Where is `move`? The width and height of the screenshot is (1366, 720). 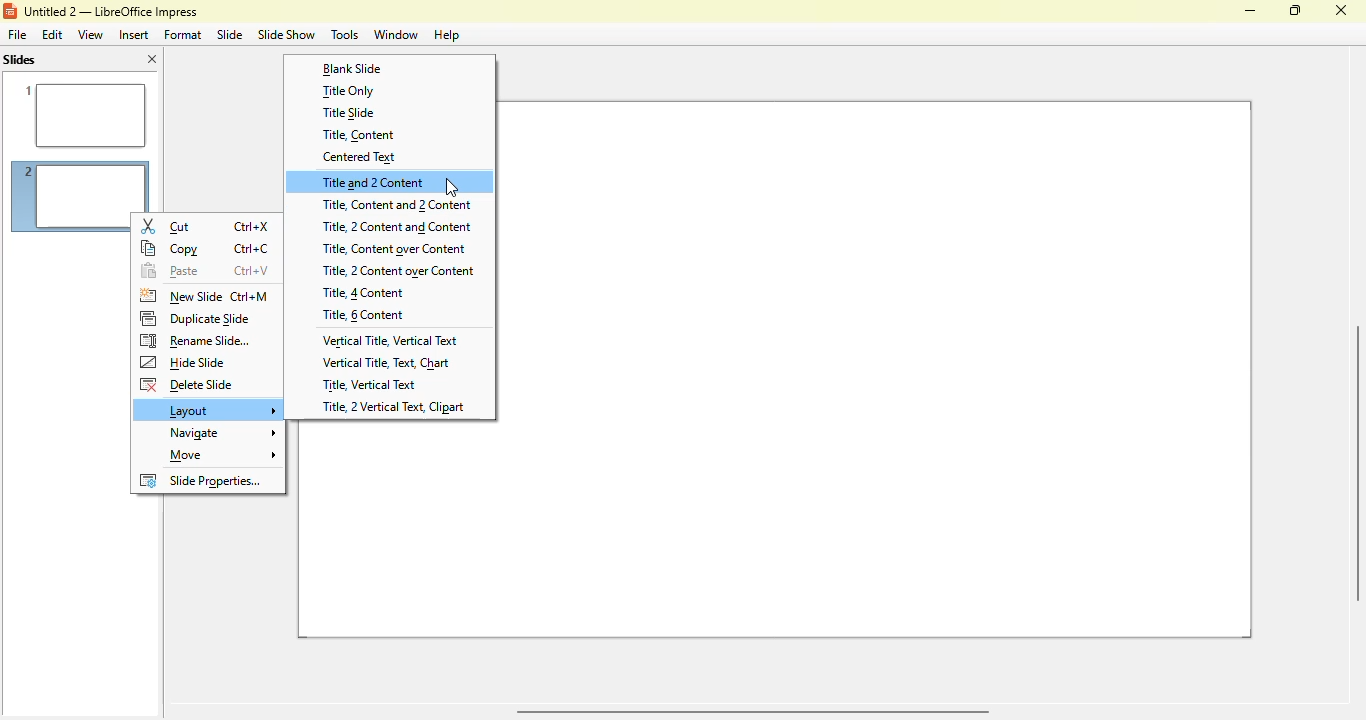
move is located at coordinates (221, 455).